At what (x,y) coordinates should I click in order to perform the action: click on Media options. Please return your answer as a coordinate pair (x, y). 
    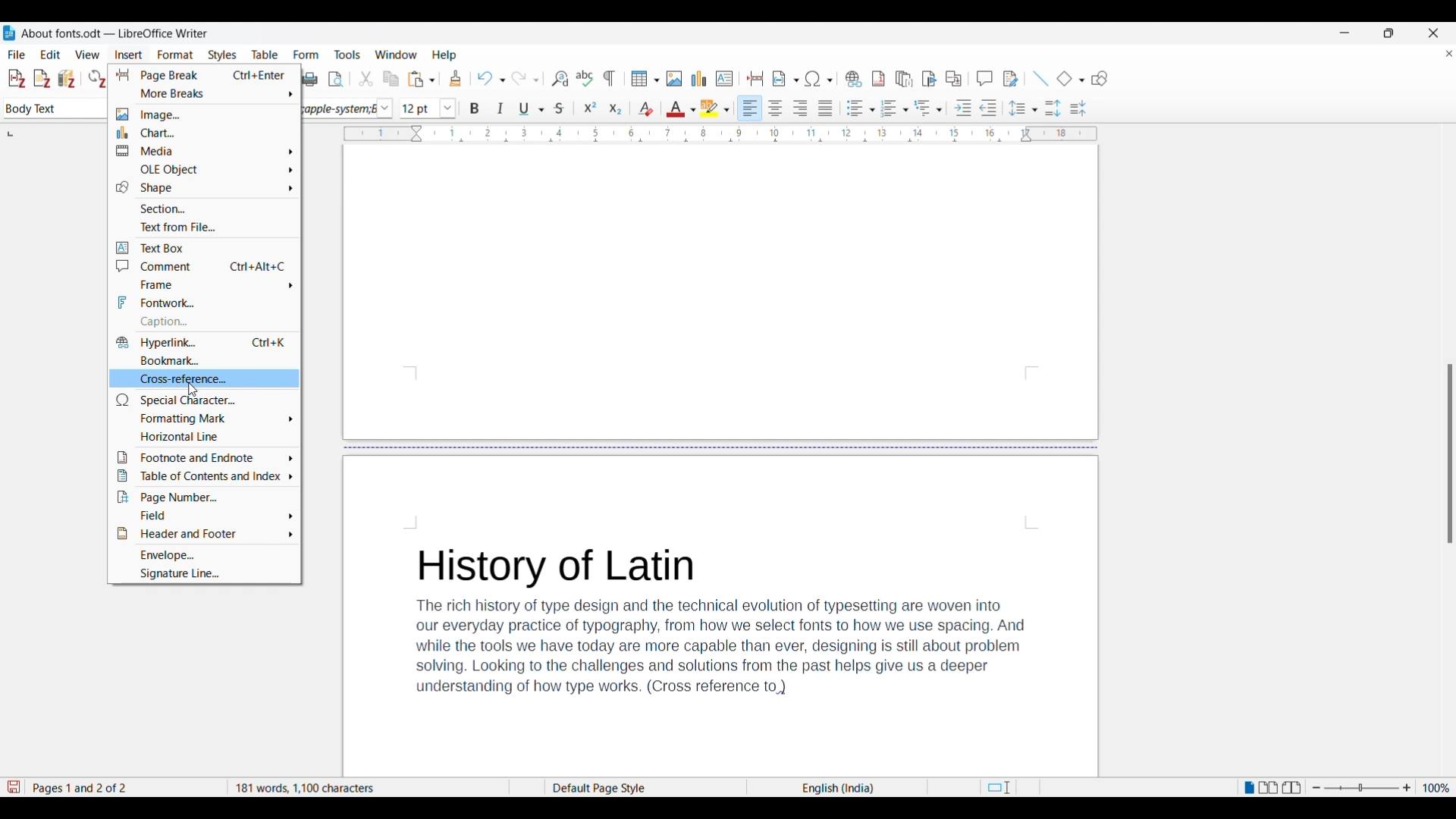
    Looking at the image, I should click on (204, 150).